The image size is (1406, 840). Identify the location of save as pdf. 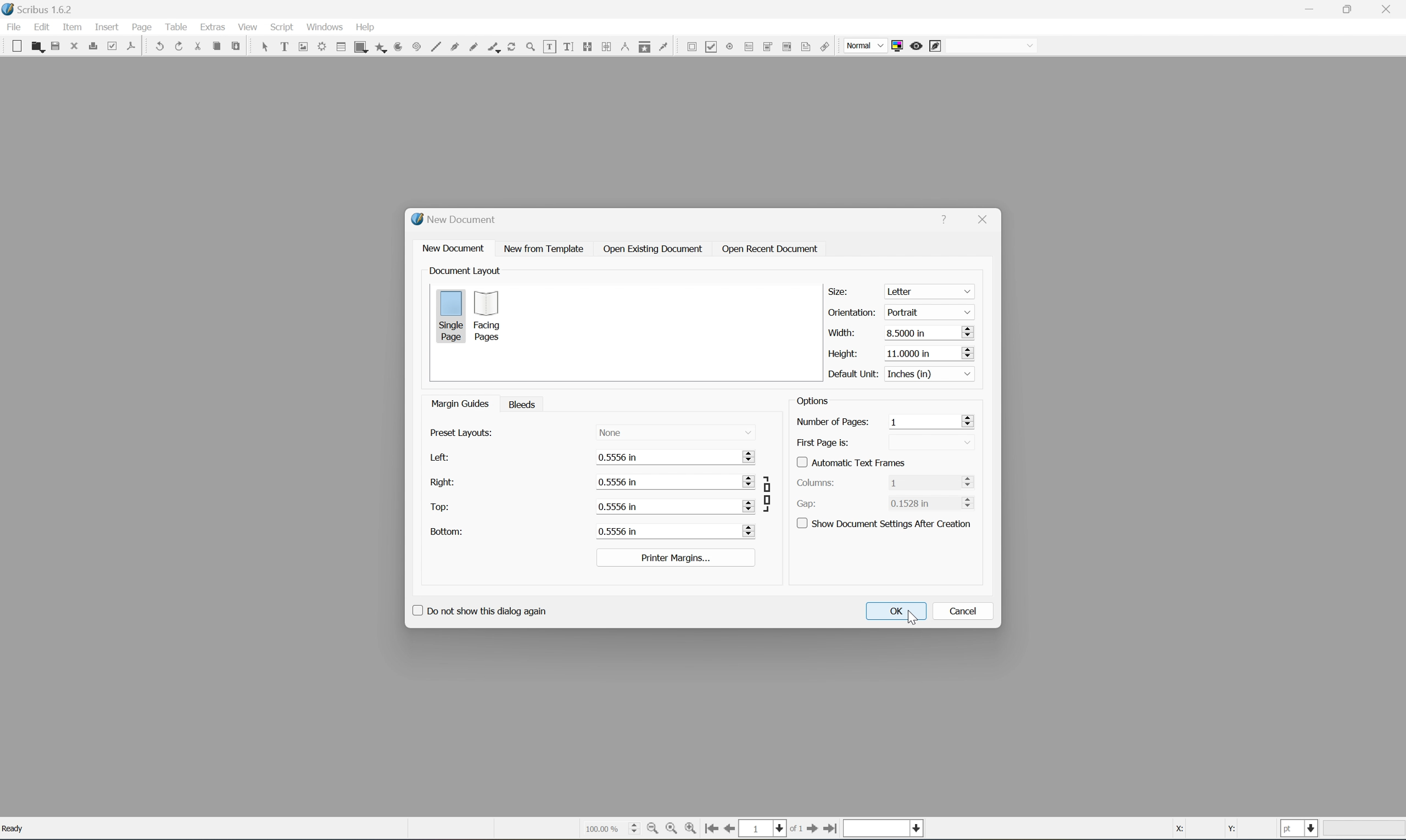
(132, 47).